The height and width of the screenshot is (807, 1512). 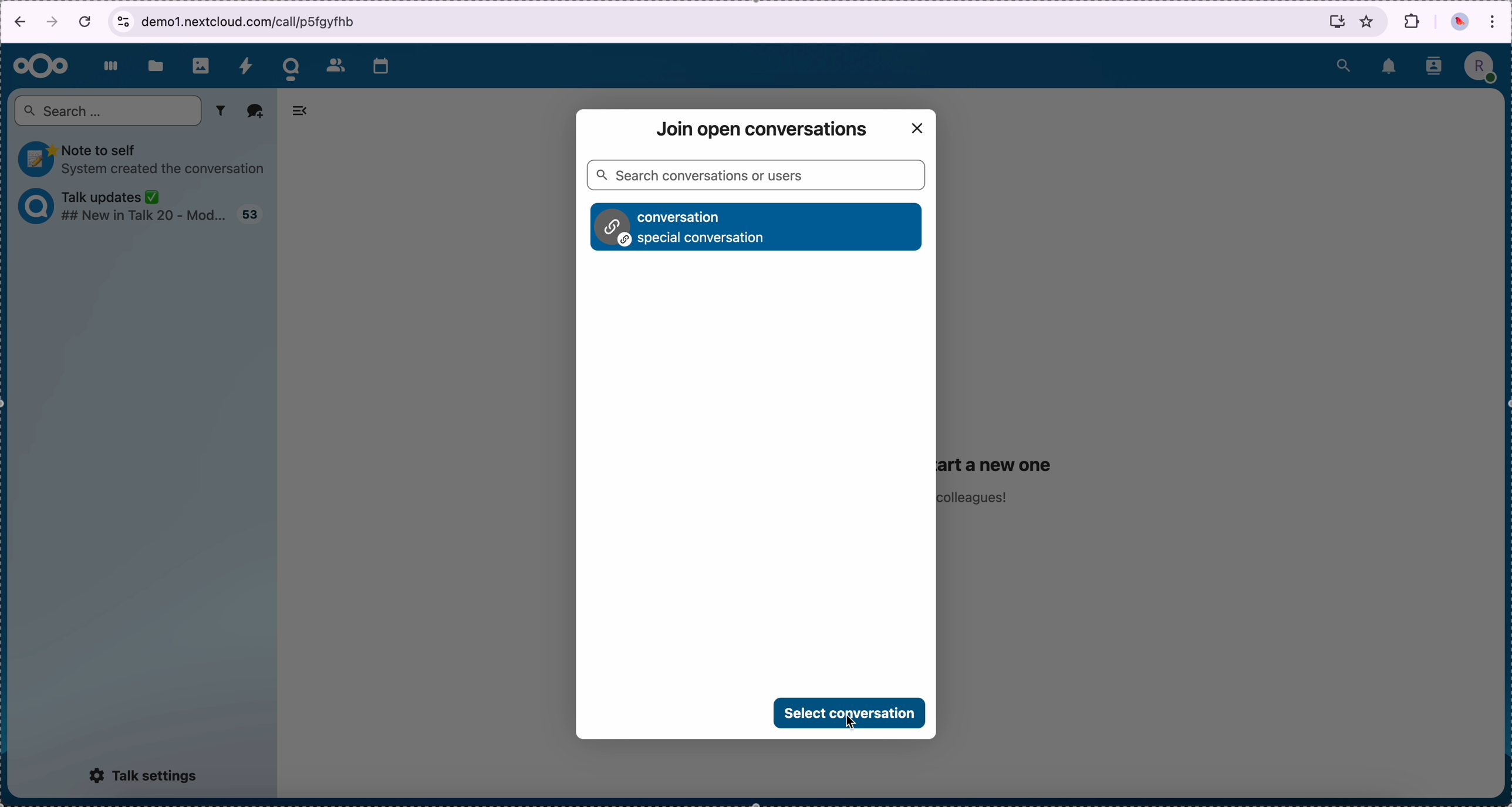 What do you see at coordinates (157, 64) in the screenshot?
I see `files` at bounding box center [157, 64].